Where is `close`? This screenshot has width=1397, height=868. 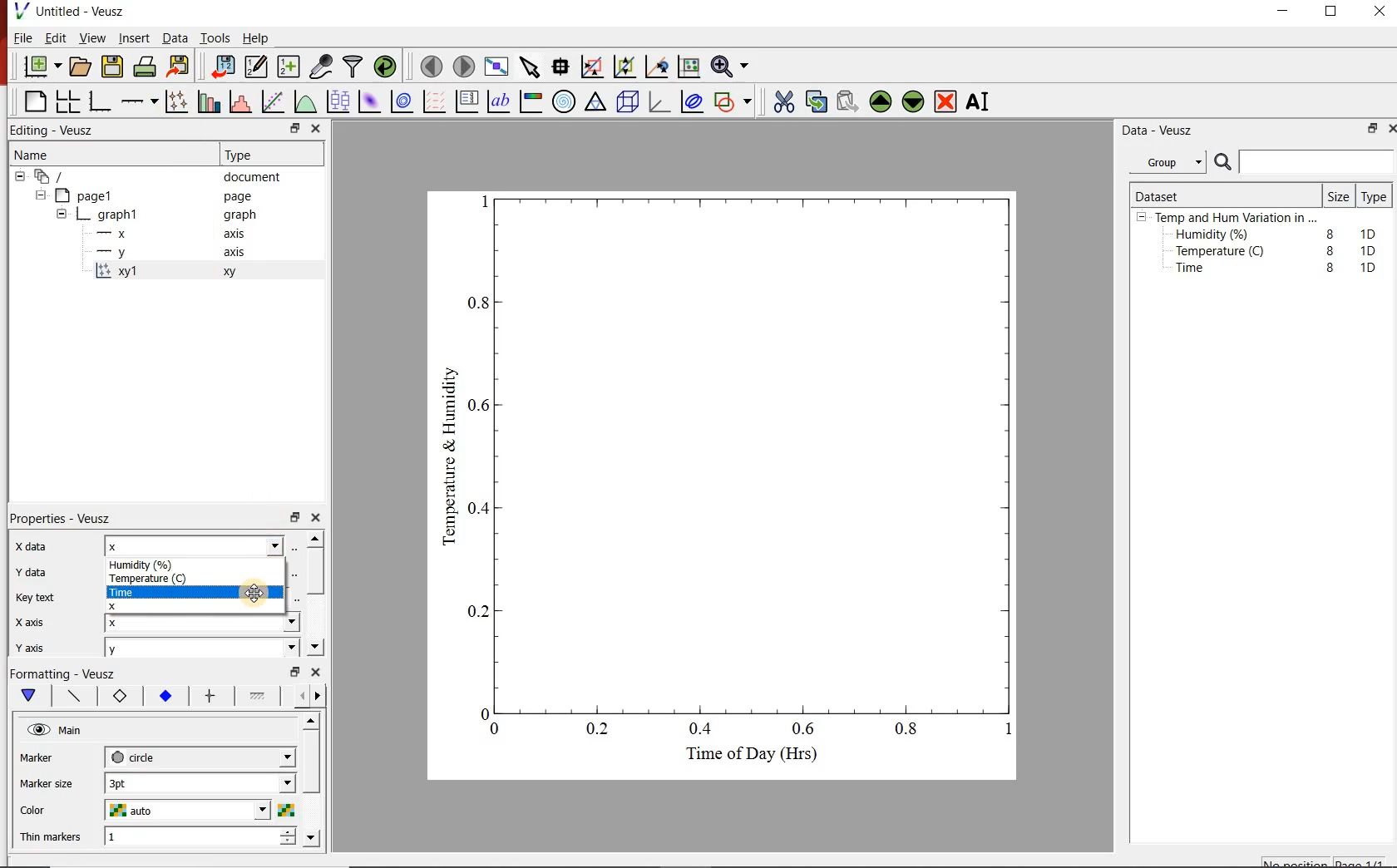 close is located at coordinates (317, 128).